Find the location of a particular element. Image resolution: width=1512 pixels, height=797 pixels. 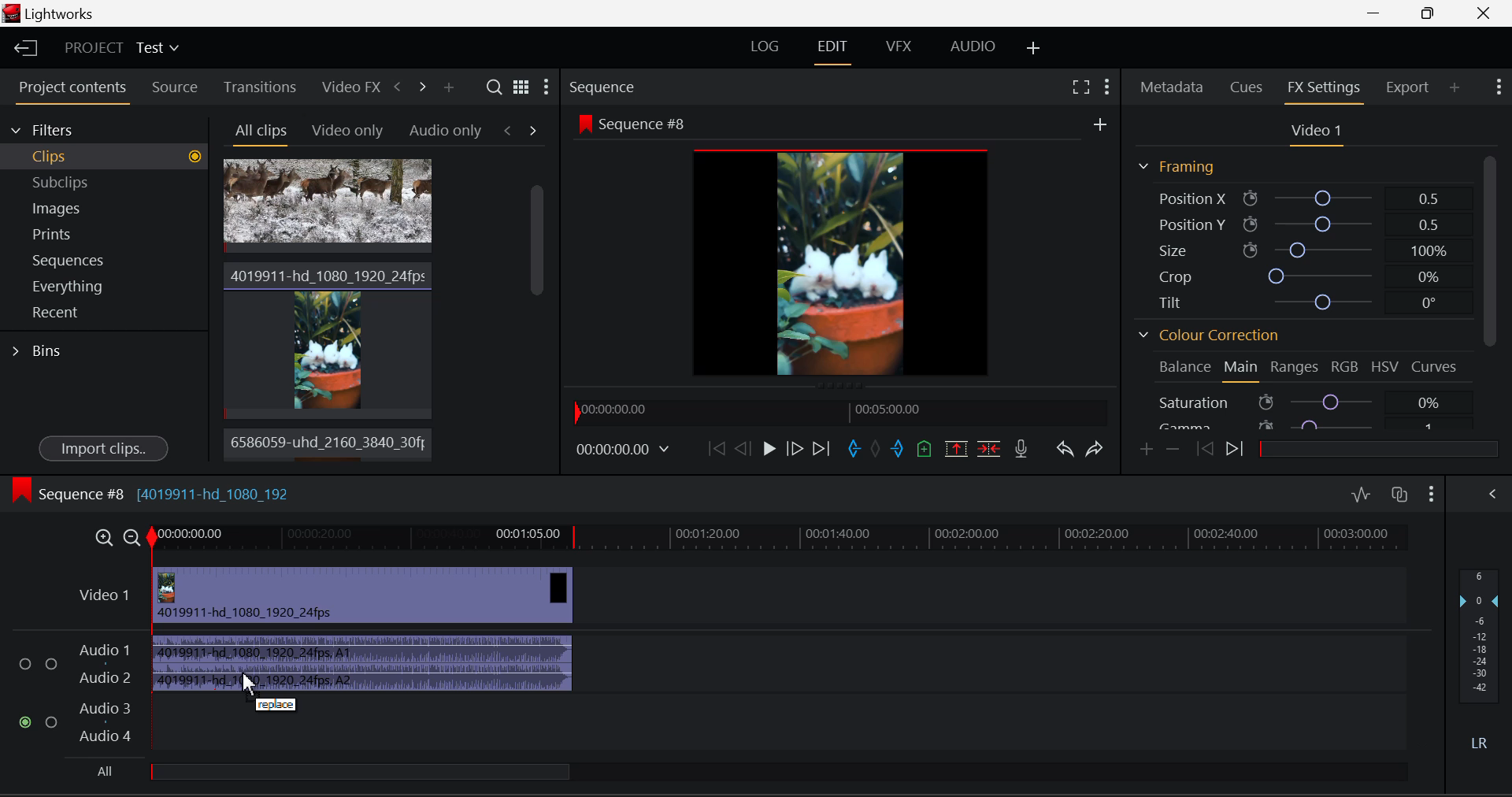

6586059-uhd_2160_3849_30fp is located at coordinates (324, 443).